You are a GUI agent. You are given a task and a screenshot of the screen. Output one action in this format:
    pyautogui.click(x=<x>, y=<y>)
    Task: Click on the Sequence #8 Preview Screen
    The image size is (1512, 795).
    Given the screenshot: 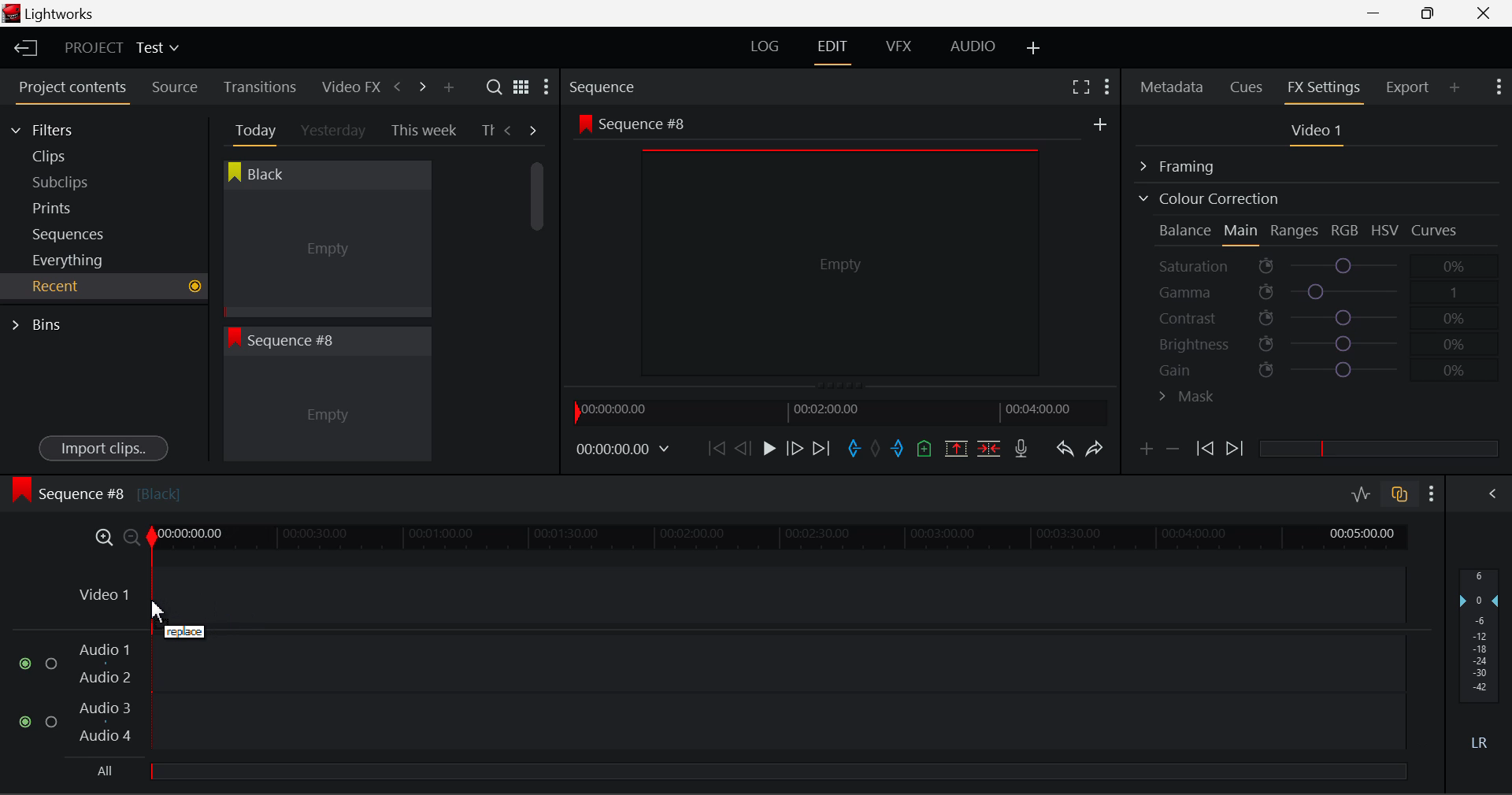 What is the action you would take?
    pyautogui.click(x=841, y=250)
    